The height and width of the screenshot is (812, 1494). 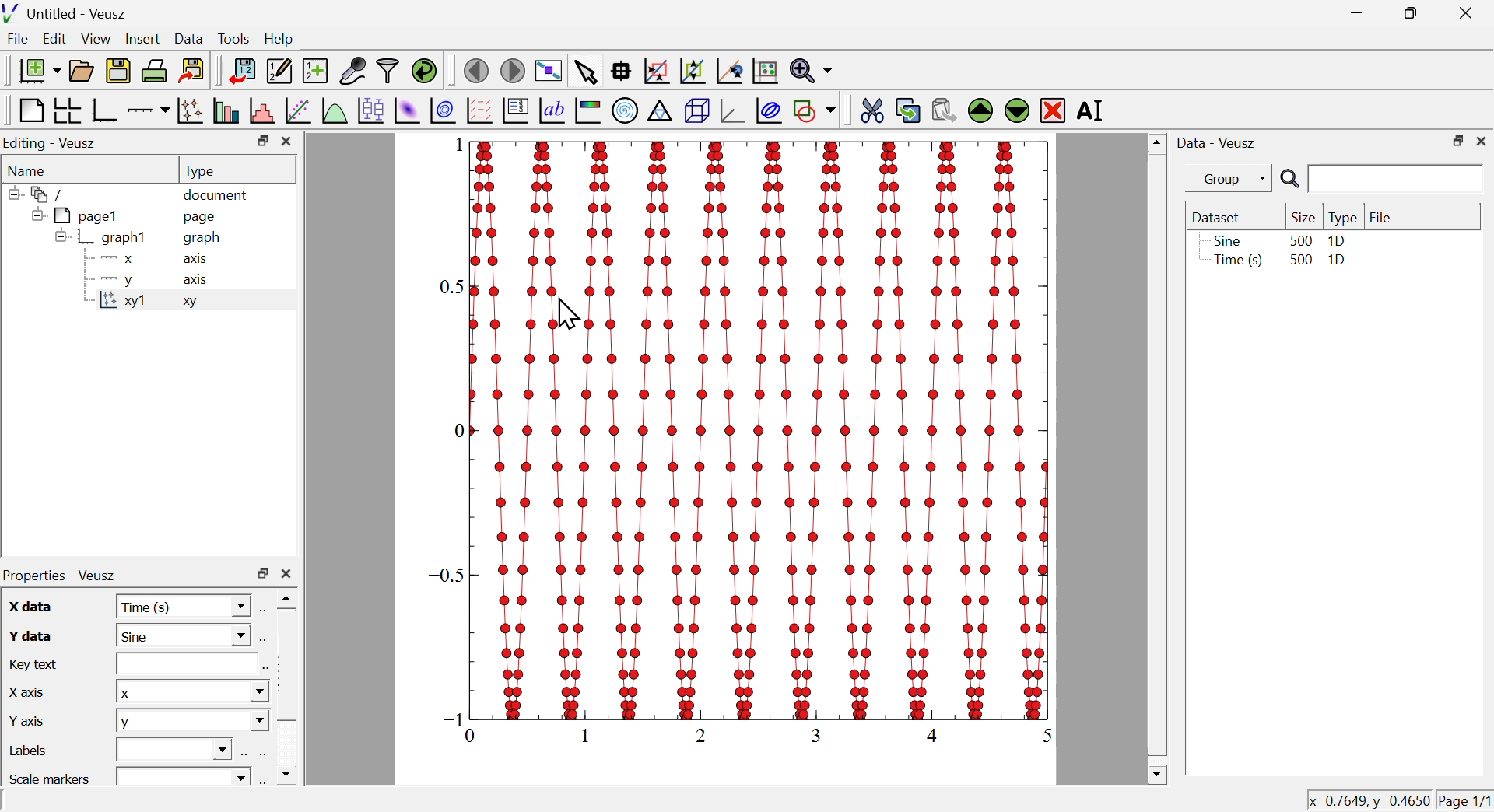 What do you see at coordinates (1235, 261) in the screenshot?
I see `time(s)` at bounding box center [1235, 261].